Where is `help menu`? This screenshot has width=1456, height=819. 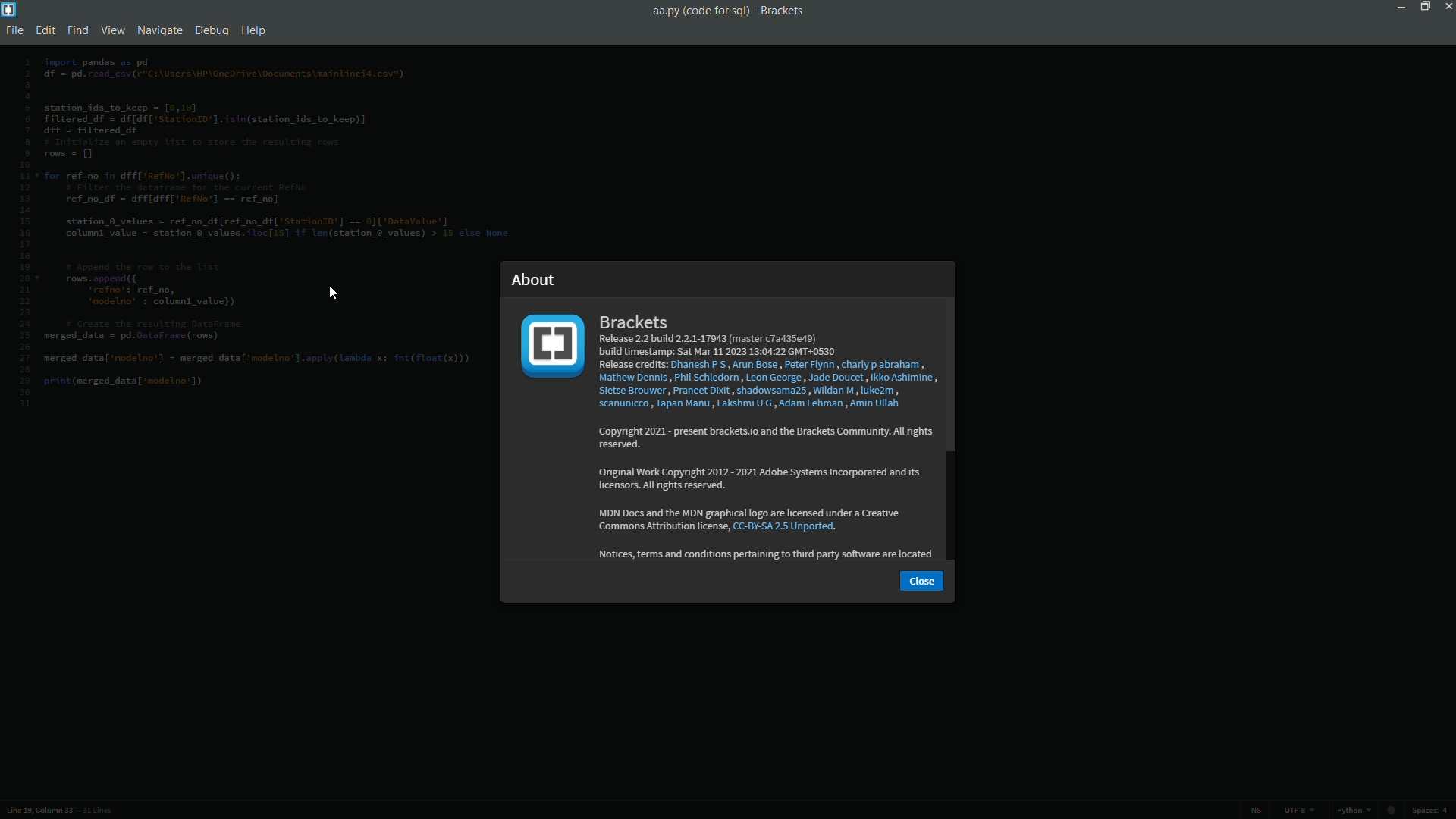
help menu is located at coordinates (253, 31).